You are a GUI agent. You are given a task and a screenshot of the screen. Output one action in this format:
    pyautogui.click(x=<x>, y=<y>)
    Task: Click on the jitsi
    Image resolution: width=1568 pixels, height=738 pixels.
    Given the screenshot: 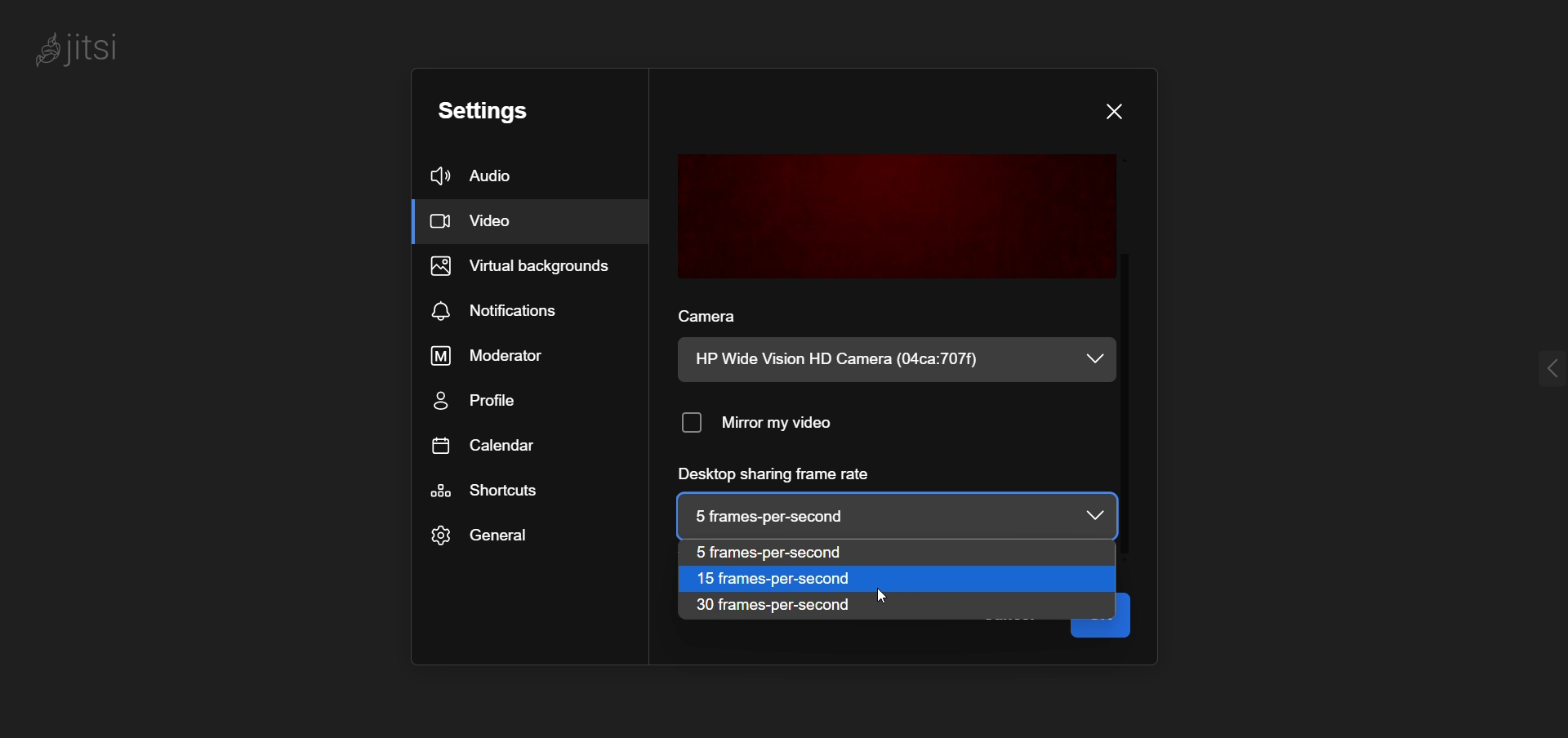 What is the action you would take?
    pyautogui.click(x=88, y=51)
    